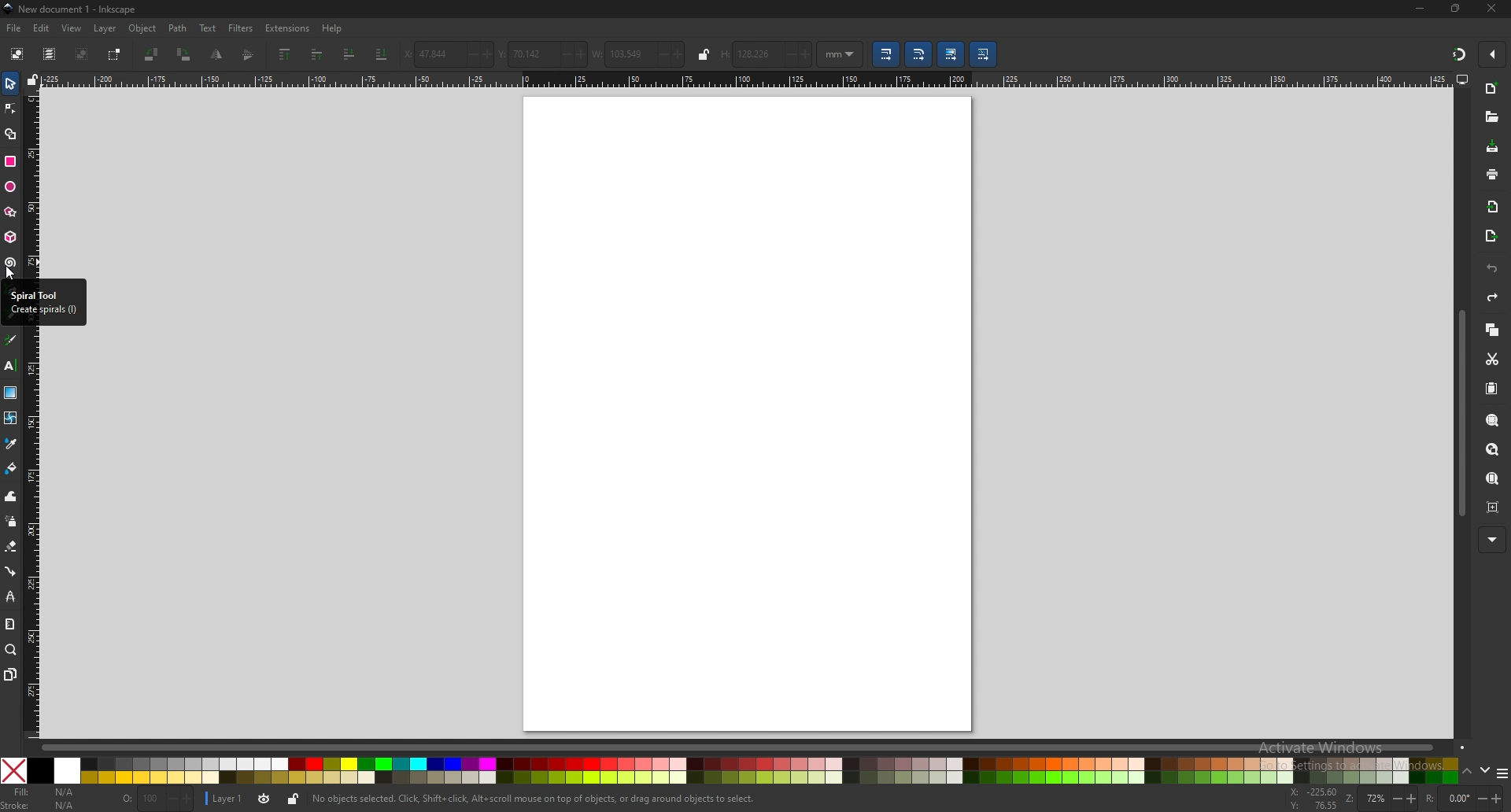 The image size is (1511, 812). What do you see at coordinates (1484, 770) in the screenshot?
I see `down` at bounding box center [1484, 770].